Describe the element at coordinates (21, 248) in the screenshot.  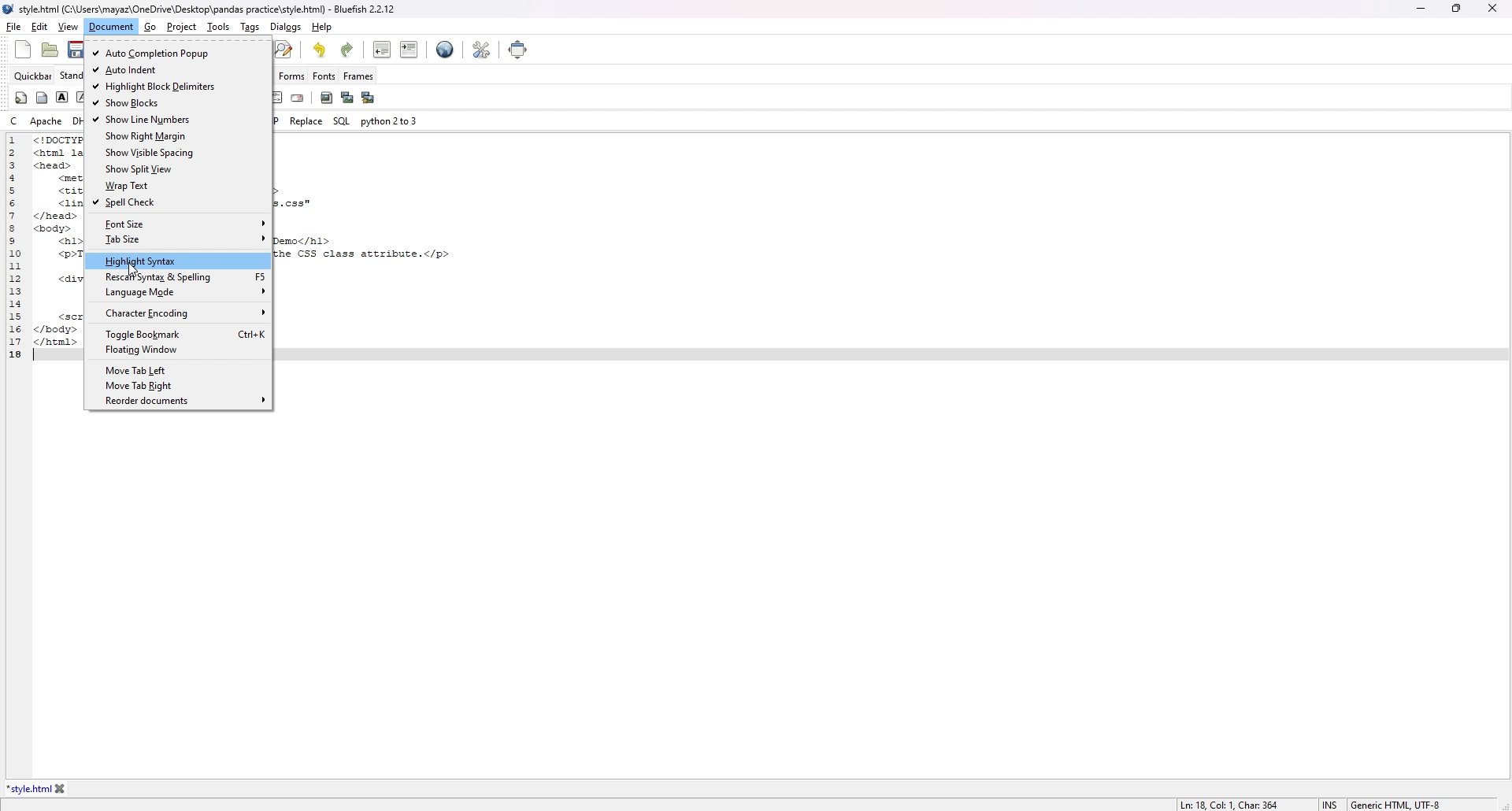
I see `line number` at that location.